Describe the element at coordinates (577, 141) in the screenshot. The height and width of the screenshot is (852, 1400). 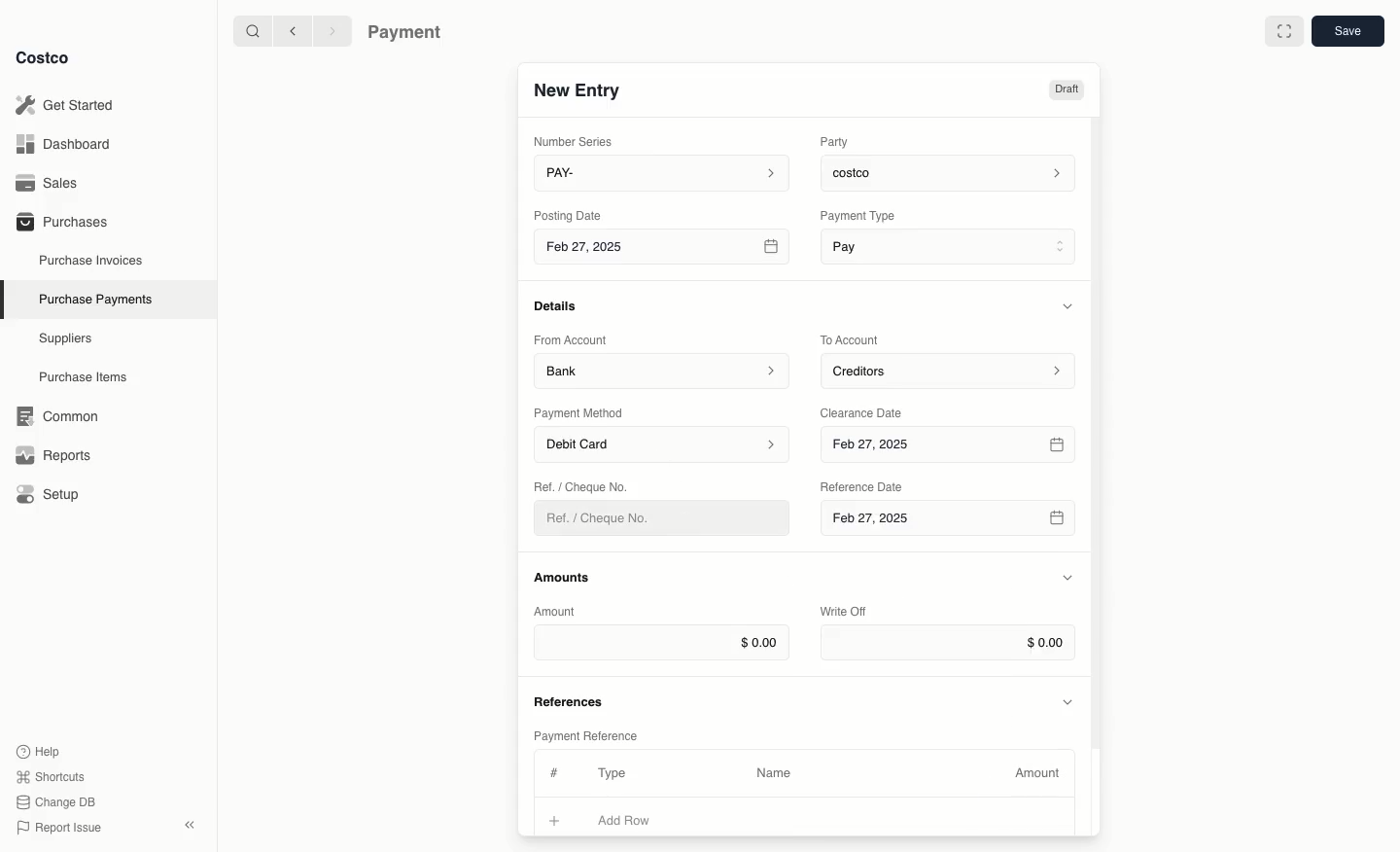
I see `Number Series` at that location.